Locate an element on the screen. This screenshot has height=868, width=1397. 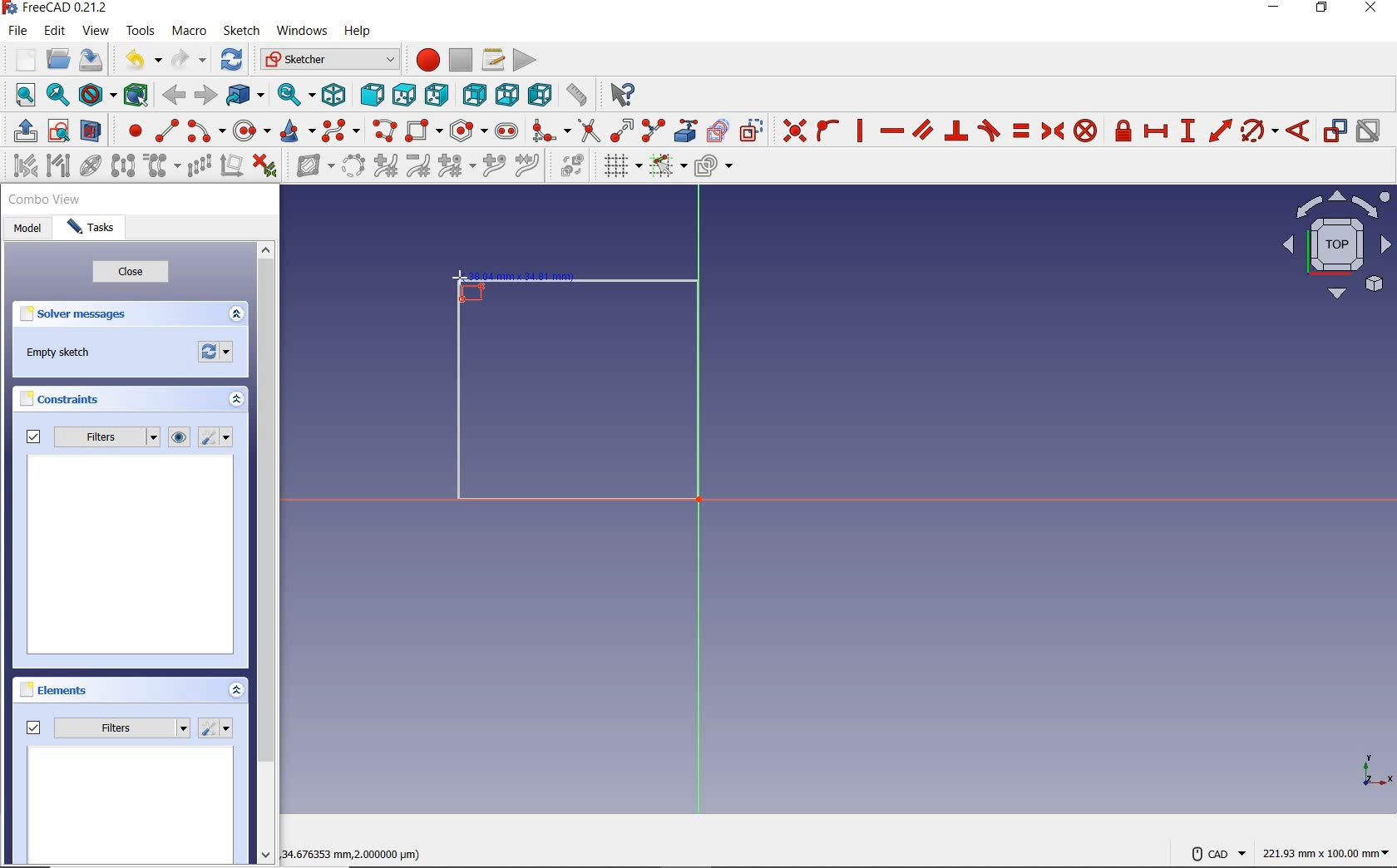
create rectangle is located at coordinates (424, 131).